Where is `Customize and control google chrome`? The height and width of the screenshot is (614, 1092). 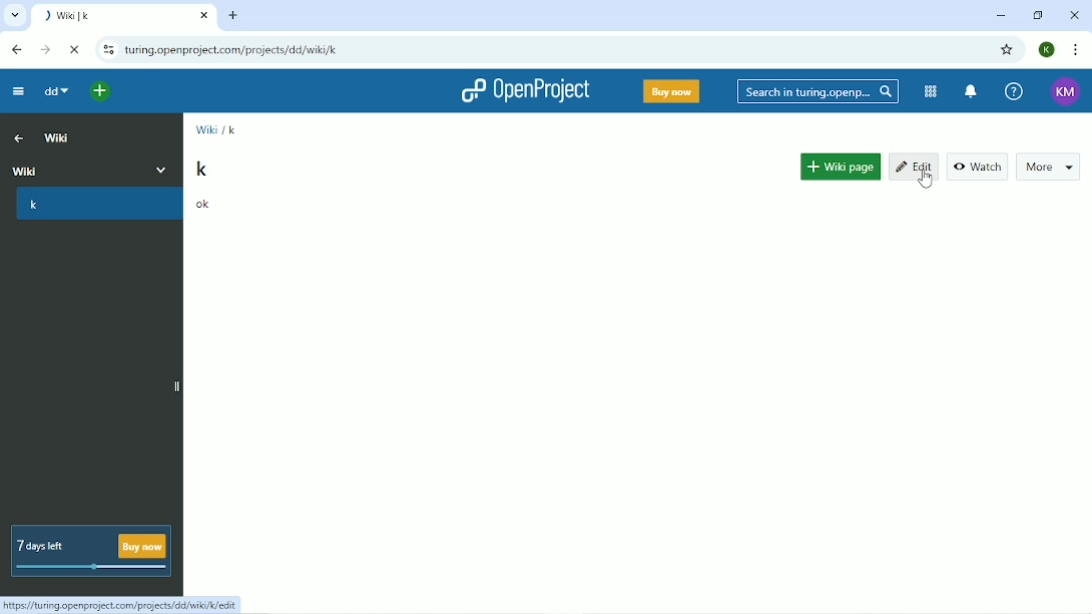
Customize and control google chrome is located at coordinates (1074, 50).